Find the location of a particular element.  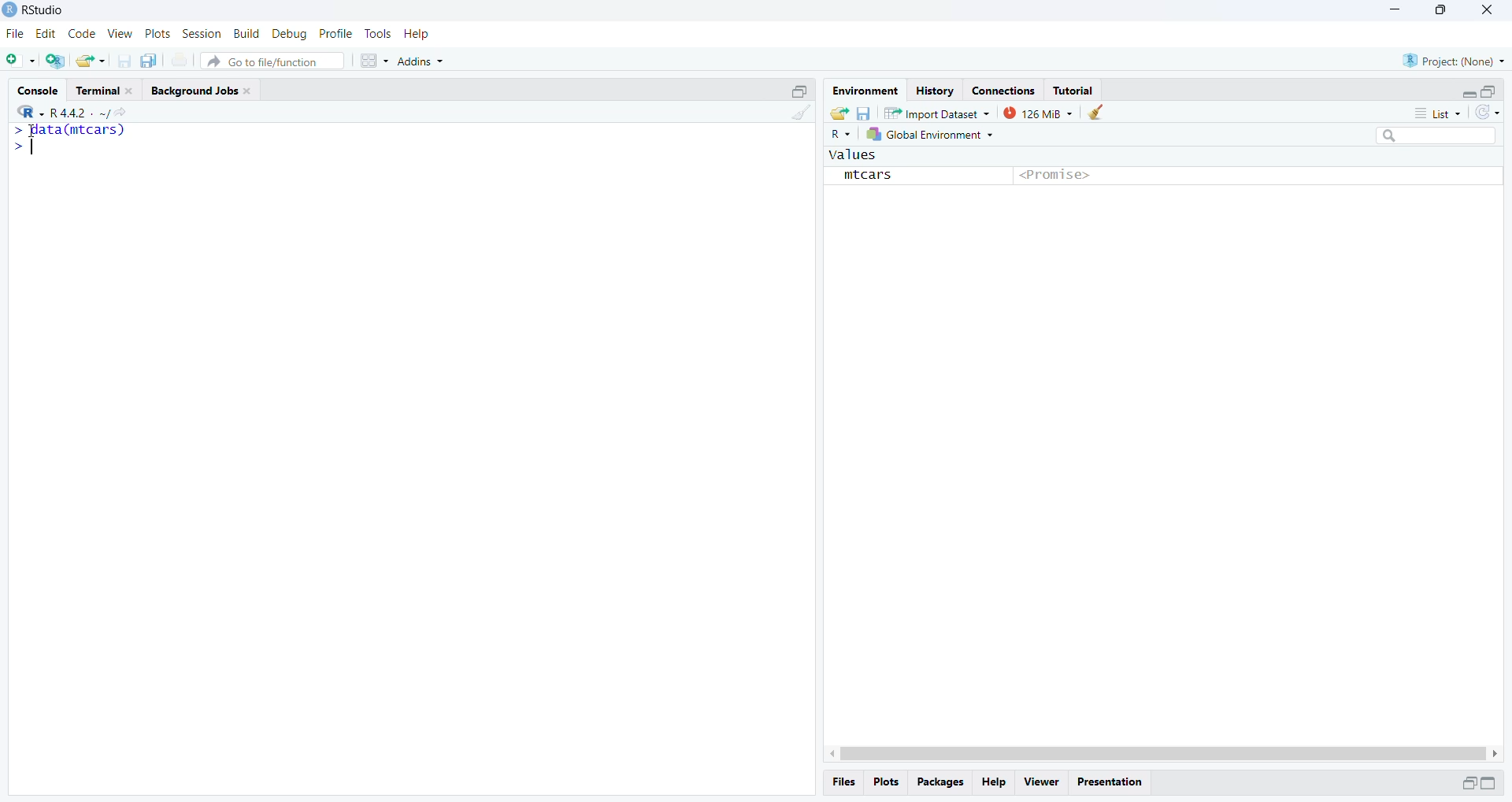

save is located at coordinates (862, 112).